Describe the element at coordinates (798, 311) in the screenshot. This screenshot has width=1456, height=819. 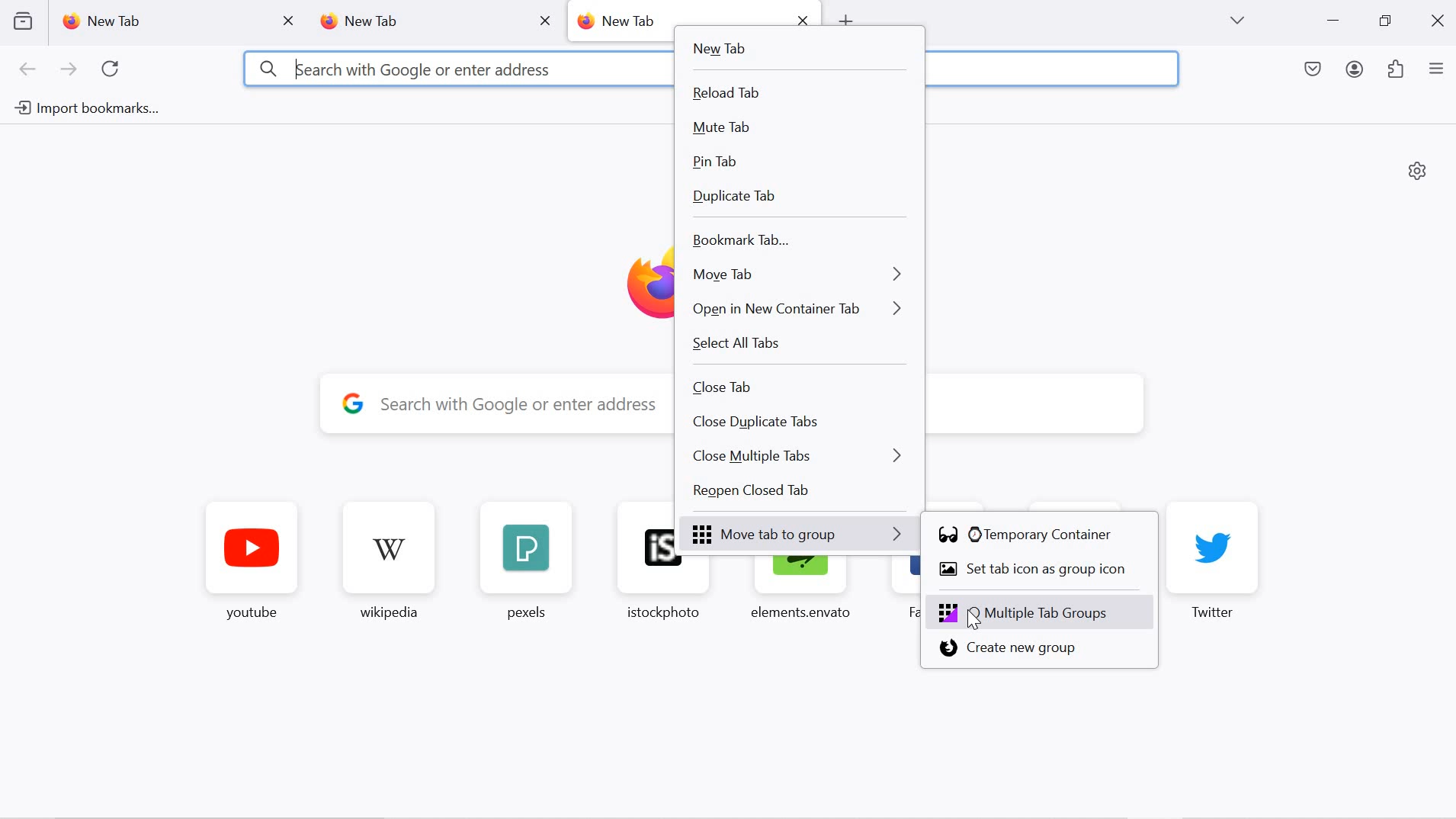
I see `open in new container tab` at that location.